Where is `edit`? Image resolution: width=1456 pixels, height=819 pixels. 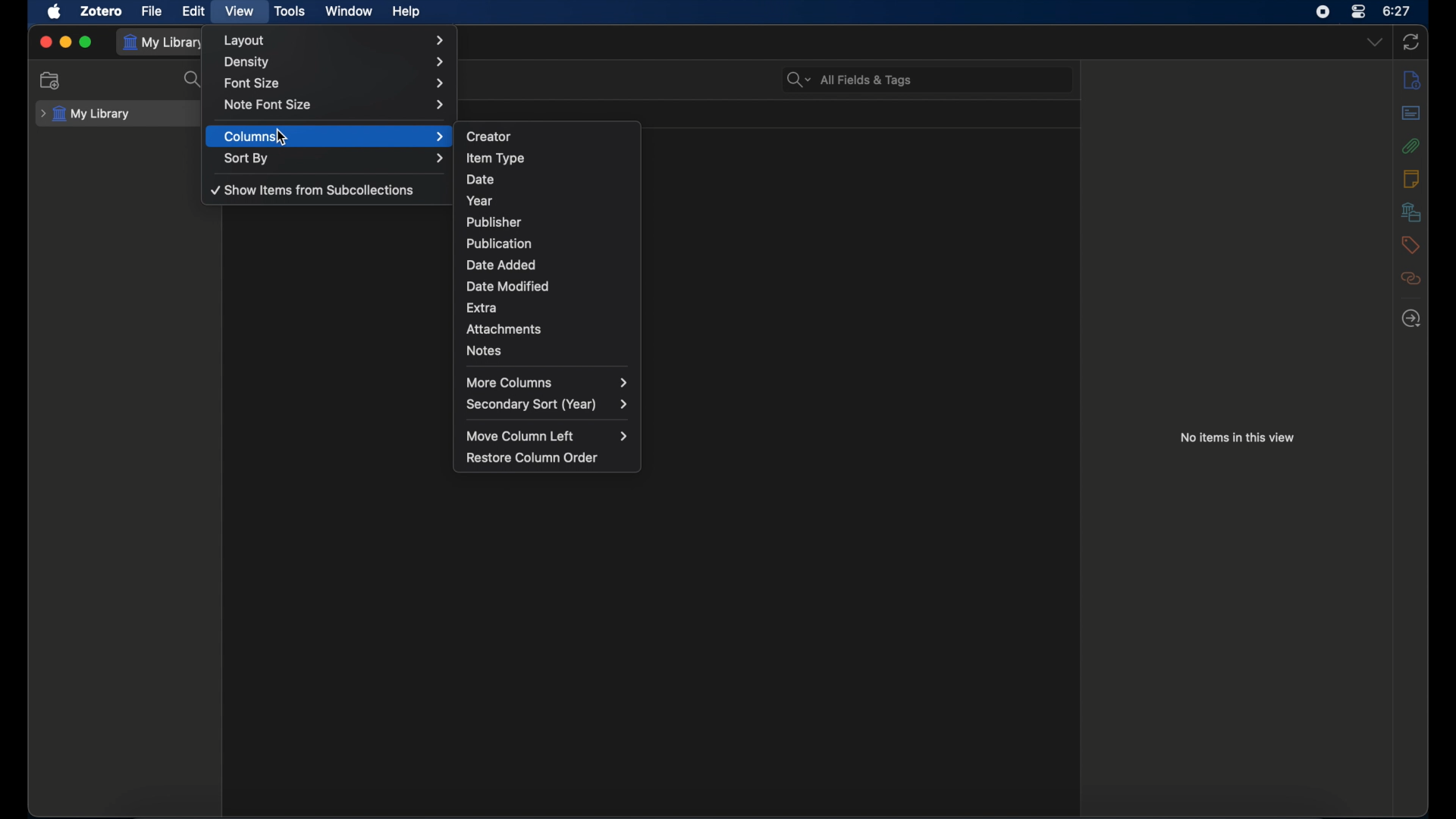
edit is located at coordinates (195, 11).